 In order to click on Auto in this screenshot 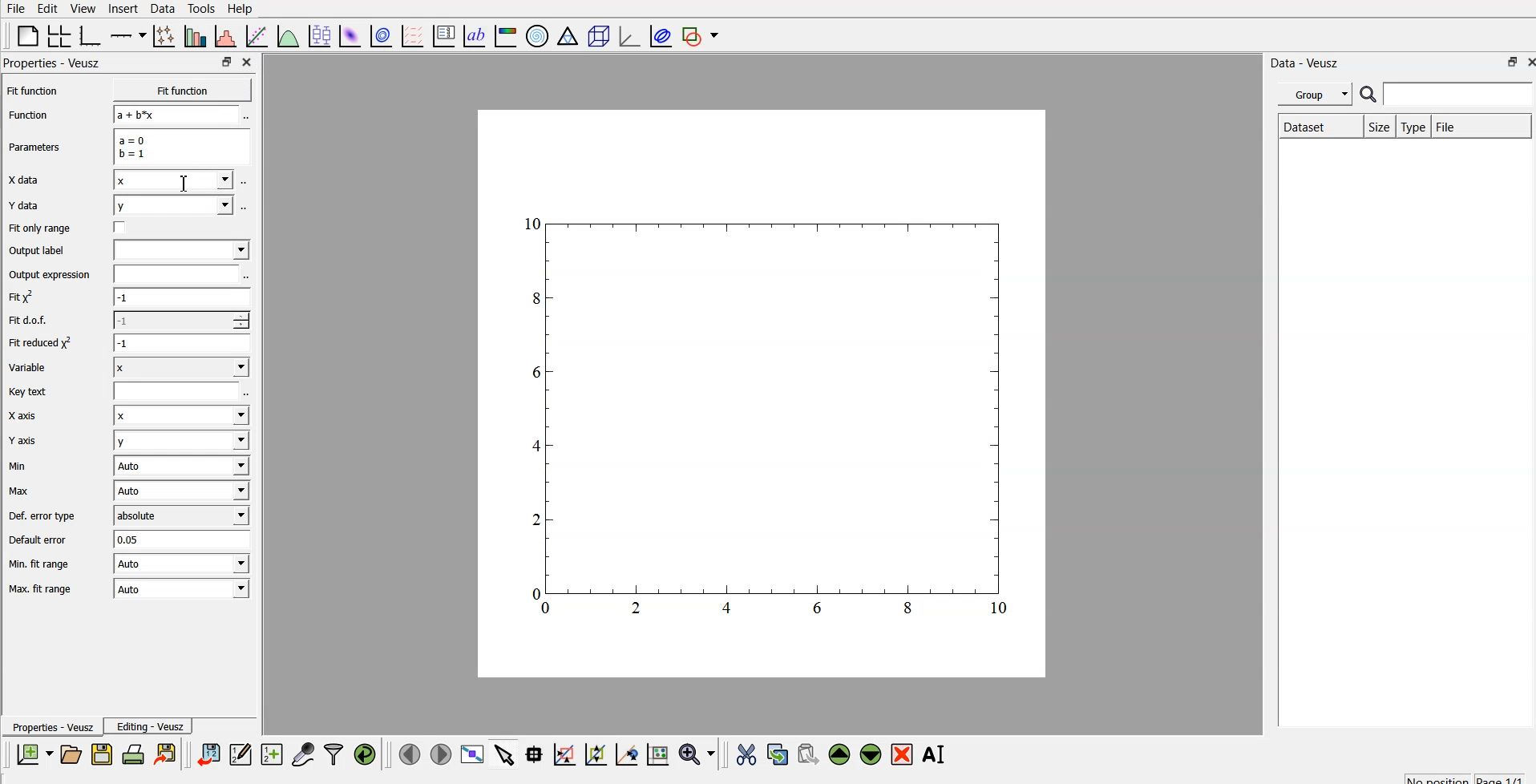, I will do `click(182, 589)`.